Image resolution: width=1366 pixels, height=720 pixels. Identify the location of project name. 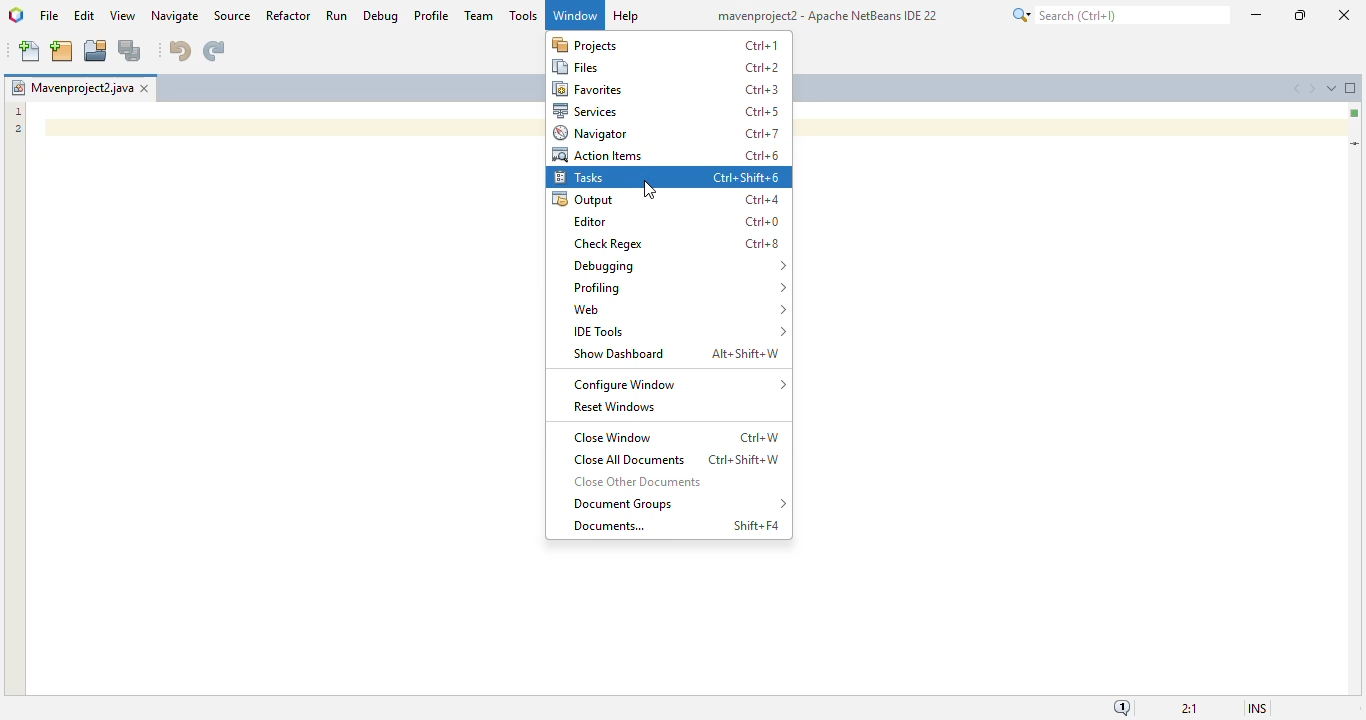
(73, 87).